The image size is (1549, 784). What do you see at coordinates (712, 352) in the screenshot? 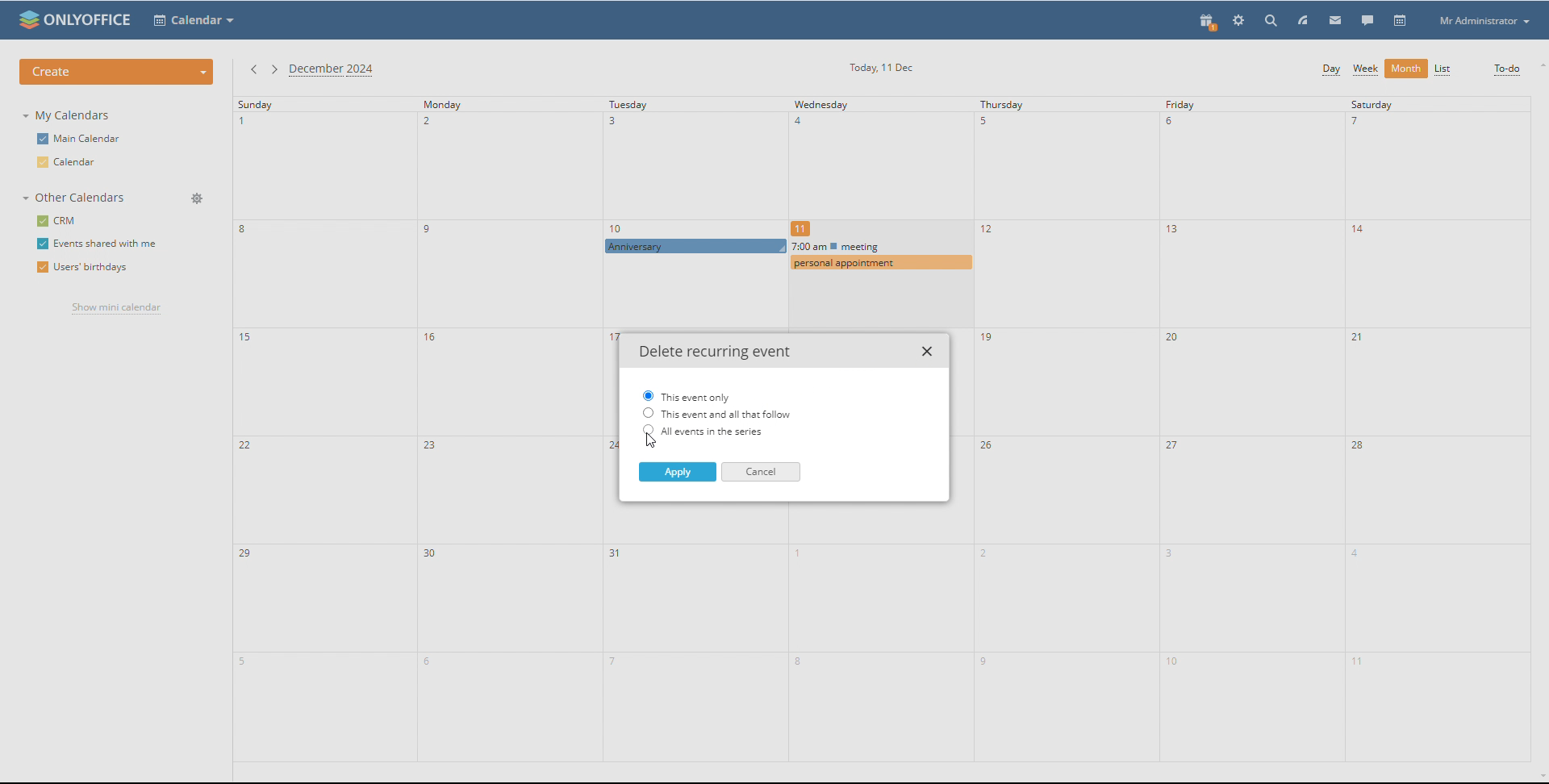
I see `delete recurring event` at bounding box center [712, 352].